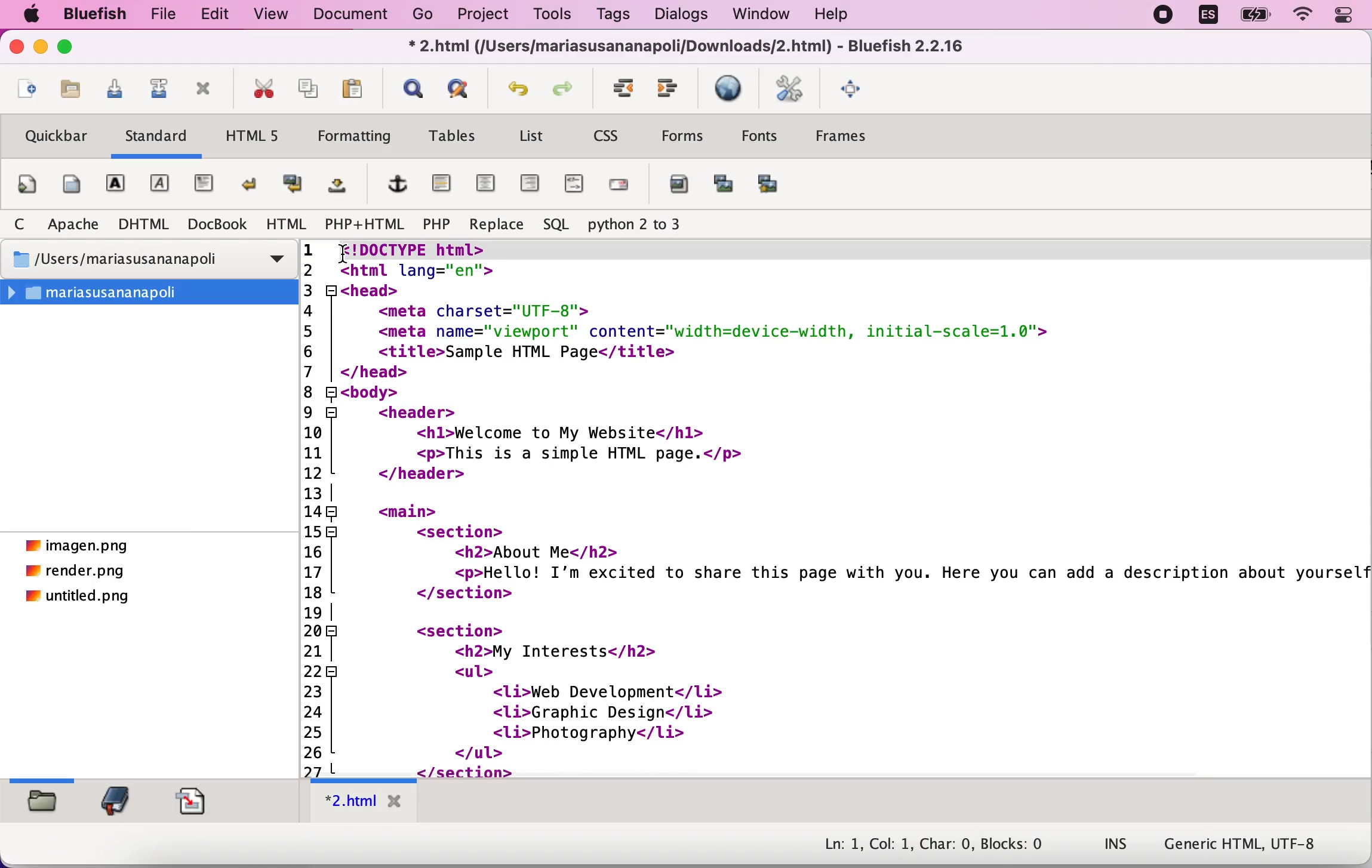 The width and height of the screenshot is (1372, 868). I want to click on close current file, so click(204, 91).